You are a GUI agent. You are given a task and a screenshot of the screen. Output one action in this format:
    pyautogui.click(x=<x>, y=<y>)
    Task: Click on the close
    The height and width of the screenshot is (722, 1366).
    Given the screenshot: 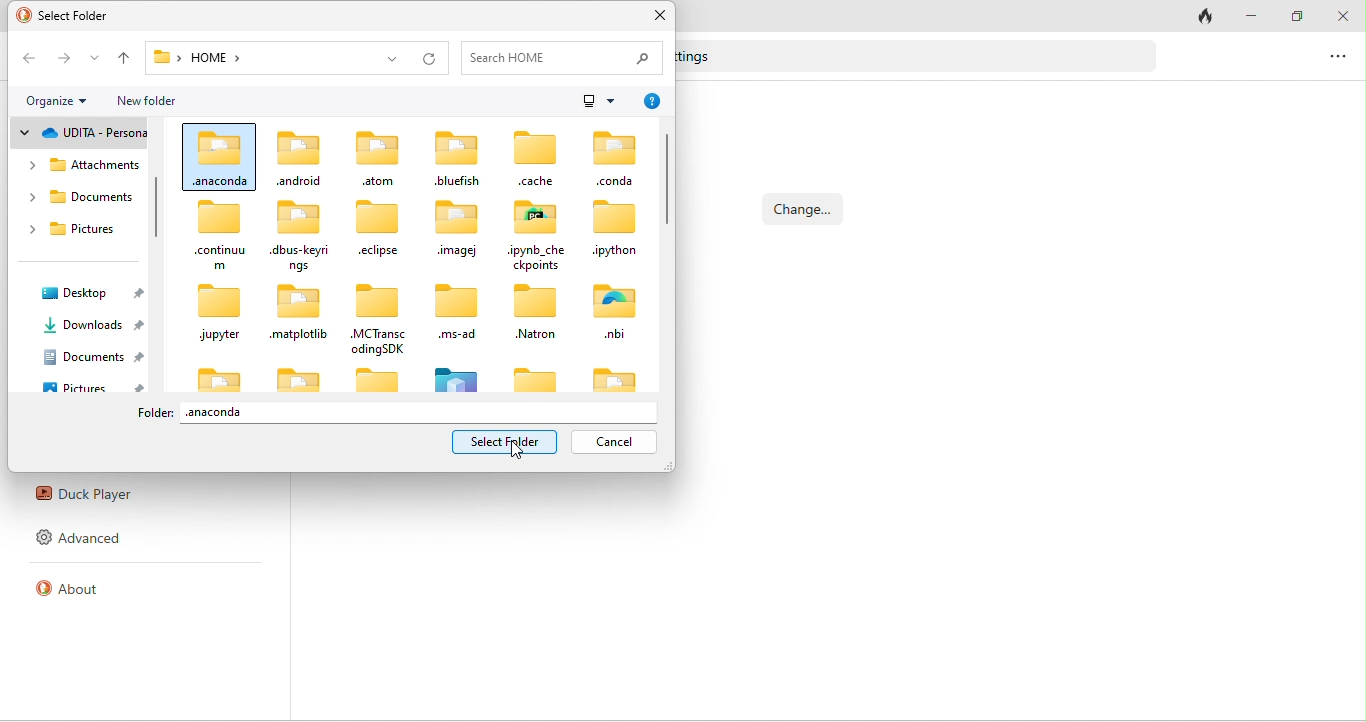 What is the action you would take?
    pyautogui.click(x=1343, y=15)
    